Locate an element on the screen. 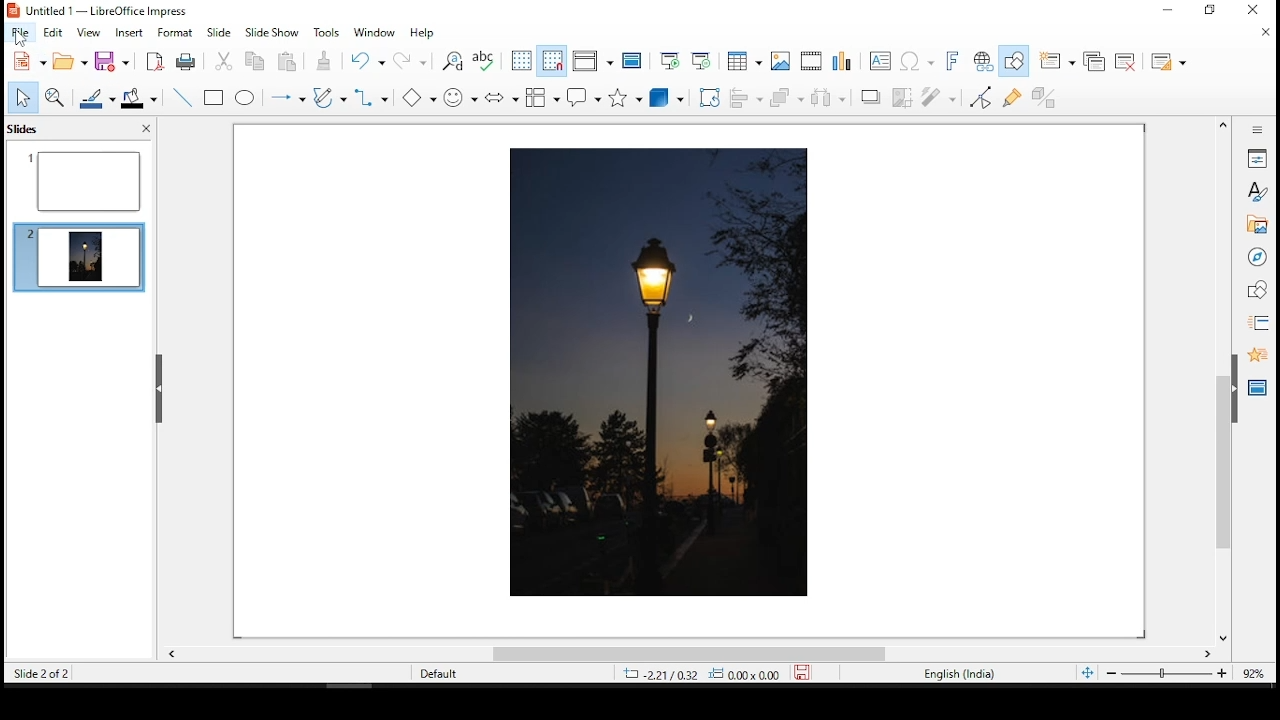 This screenshot has height=720, width=1280. shadow is located at coordinates (871, 98).